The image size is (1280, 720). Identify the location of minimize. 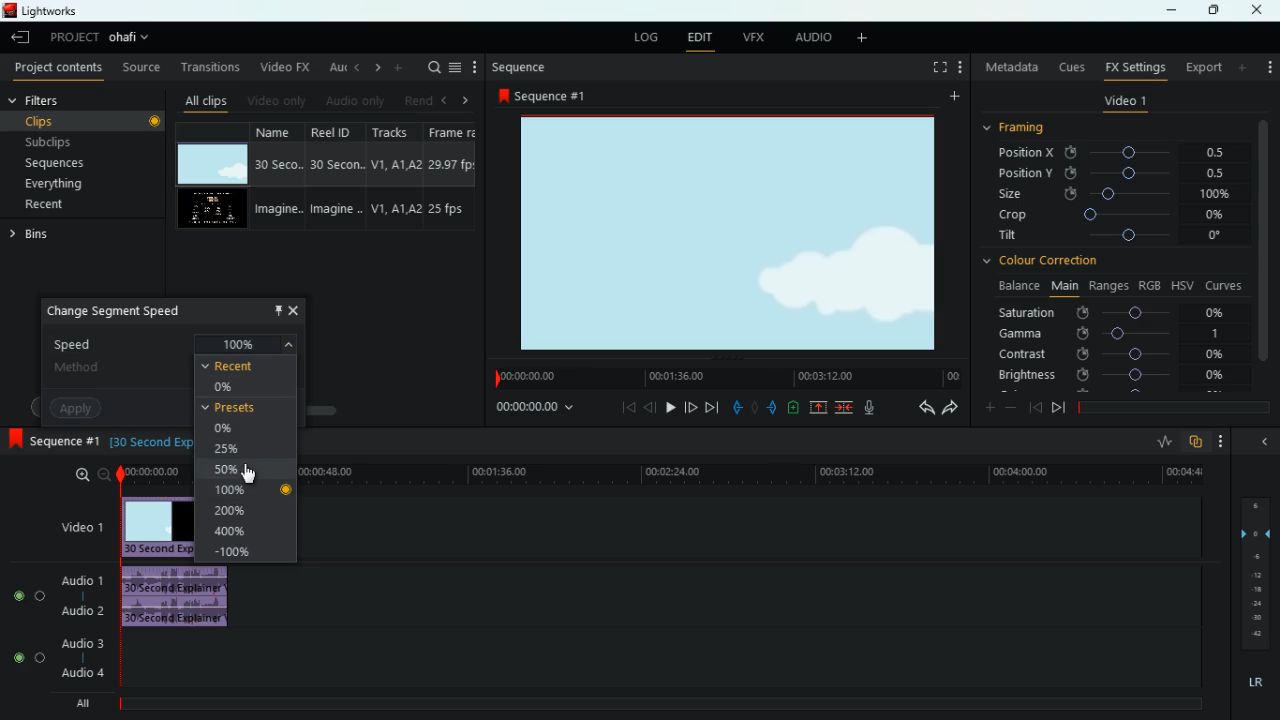
(1264, 440).